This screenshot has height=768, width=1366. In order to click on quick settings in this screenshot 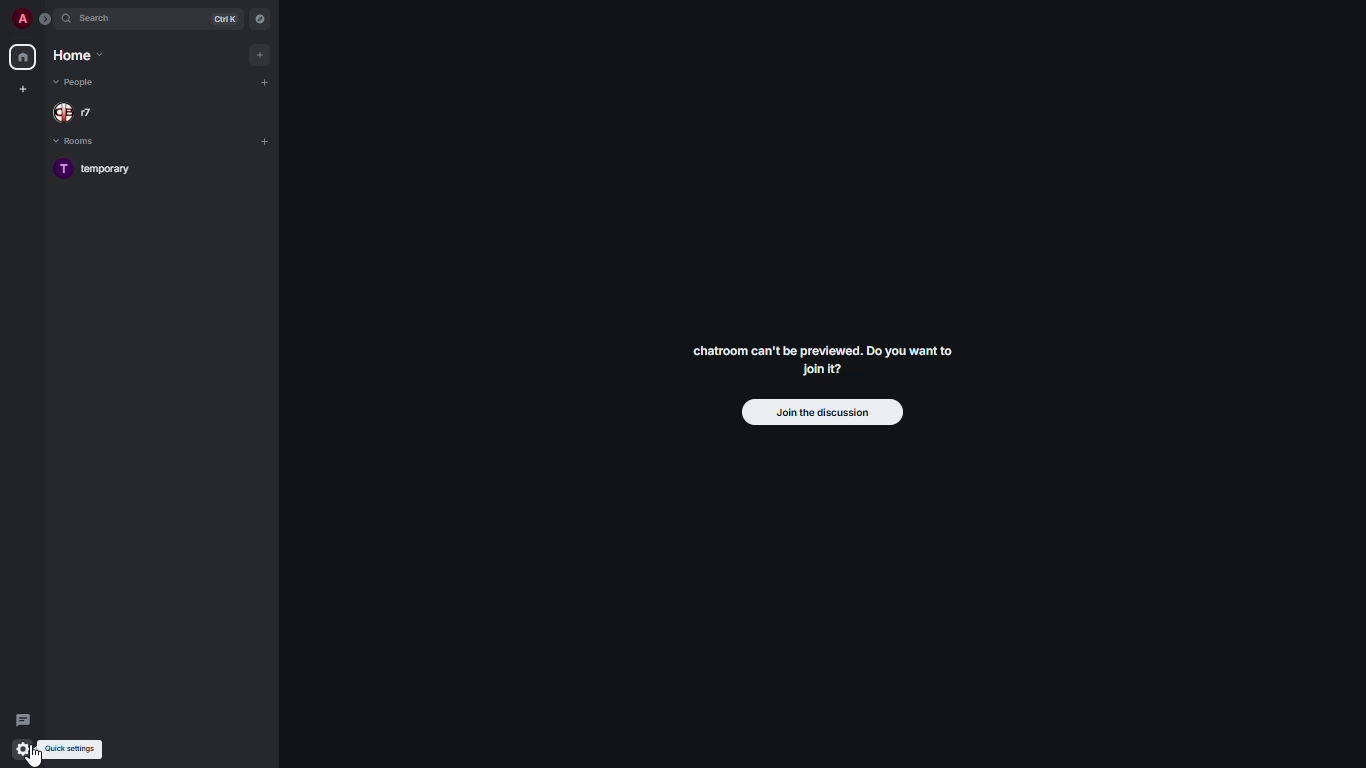, I will do `click(24, 749)`.